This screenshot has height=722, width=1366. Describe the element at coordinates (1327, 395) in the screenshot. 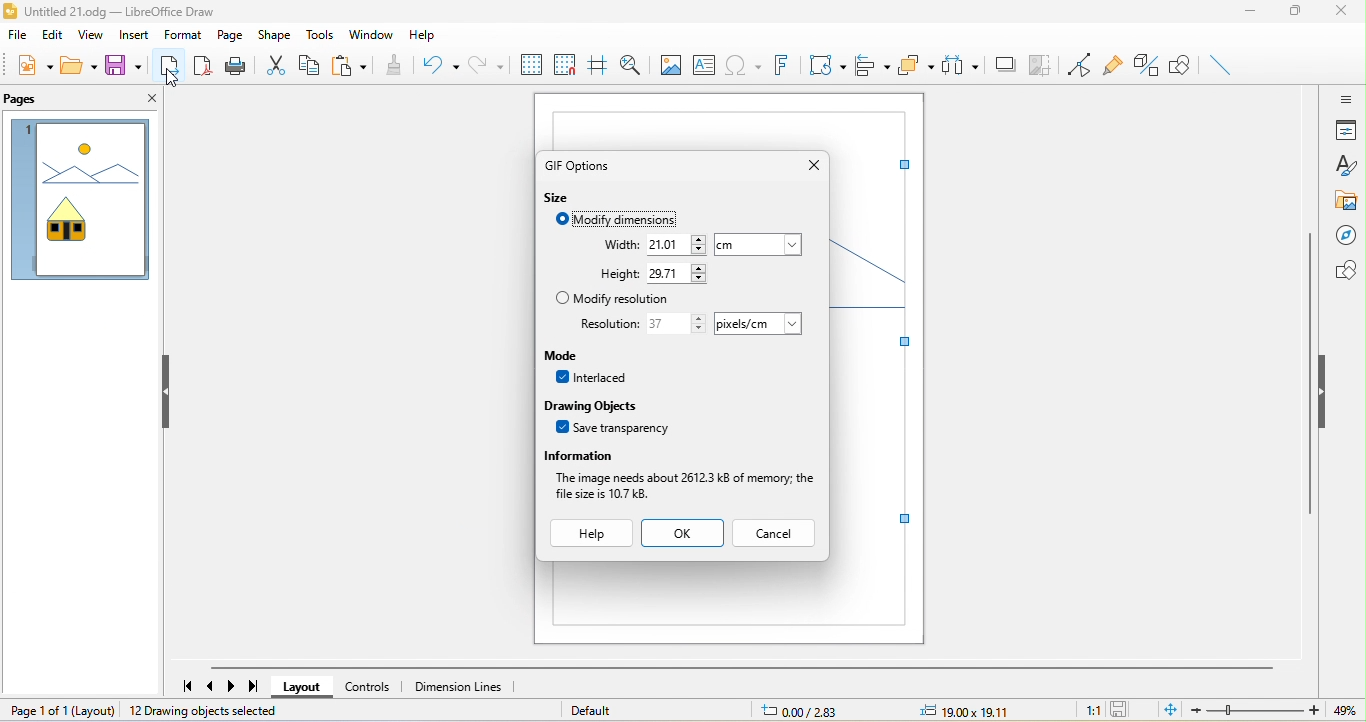

I see `hide` at that location.